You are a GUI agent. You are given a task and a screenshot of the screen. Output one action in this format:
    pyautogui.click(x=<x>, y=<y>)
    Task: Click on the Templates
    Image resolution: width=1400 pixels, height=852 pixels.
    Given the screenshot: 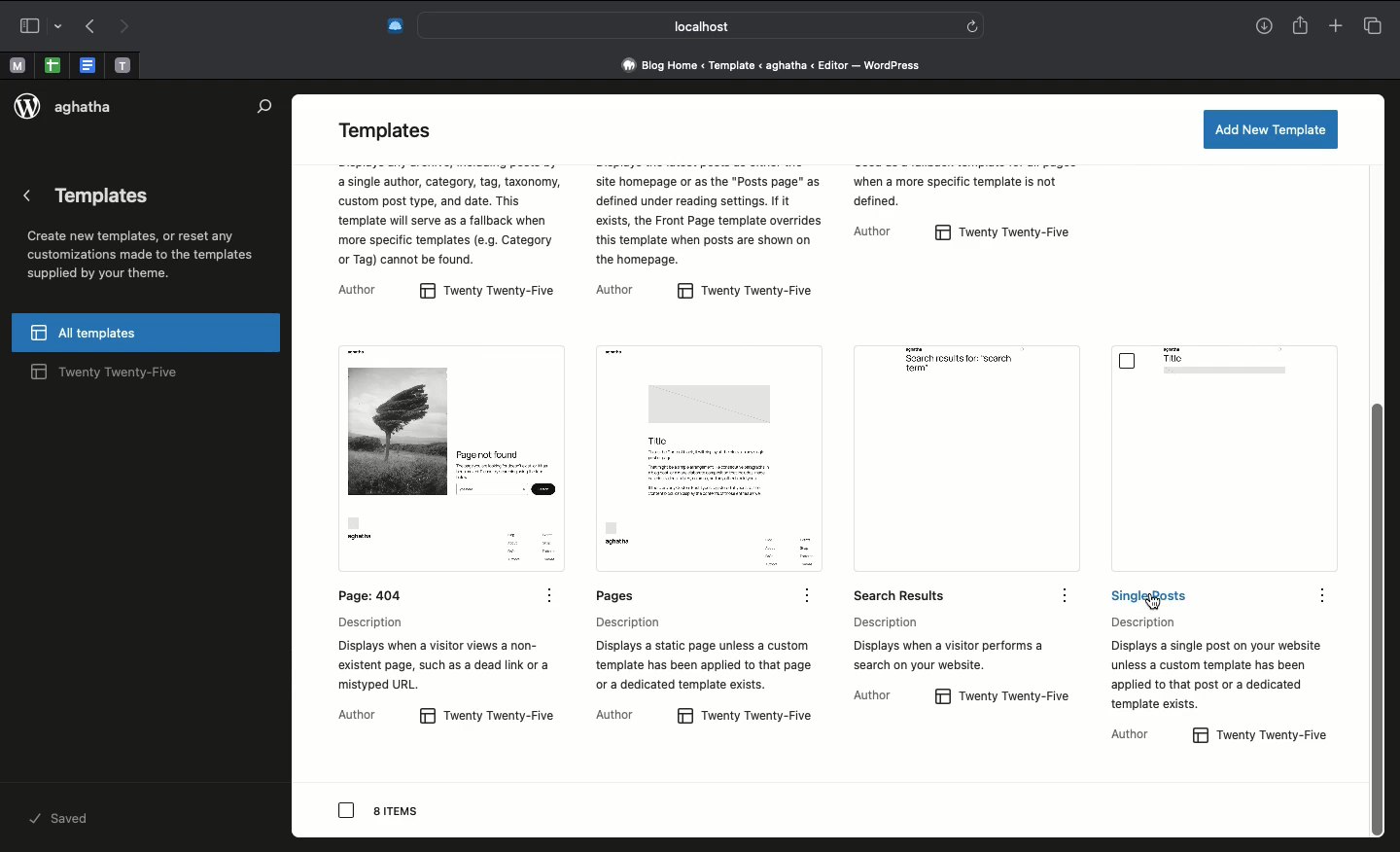 What is the action you would take?
    pyautogui.click(x=140, y=242)
    